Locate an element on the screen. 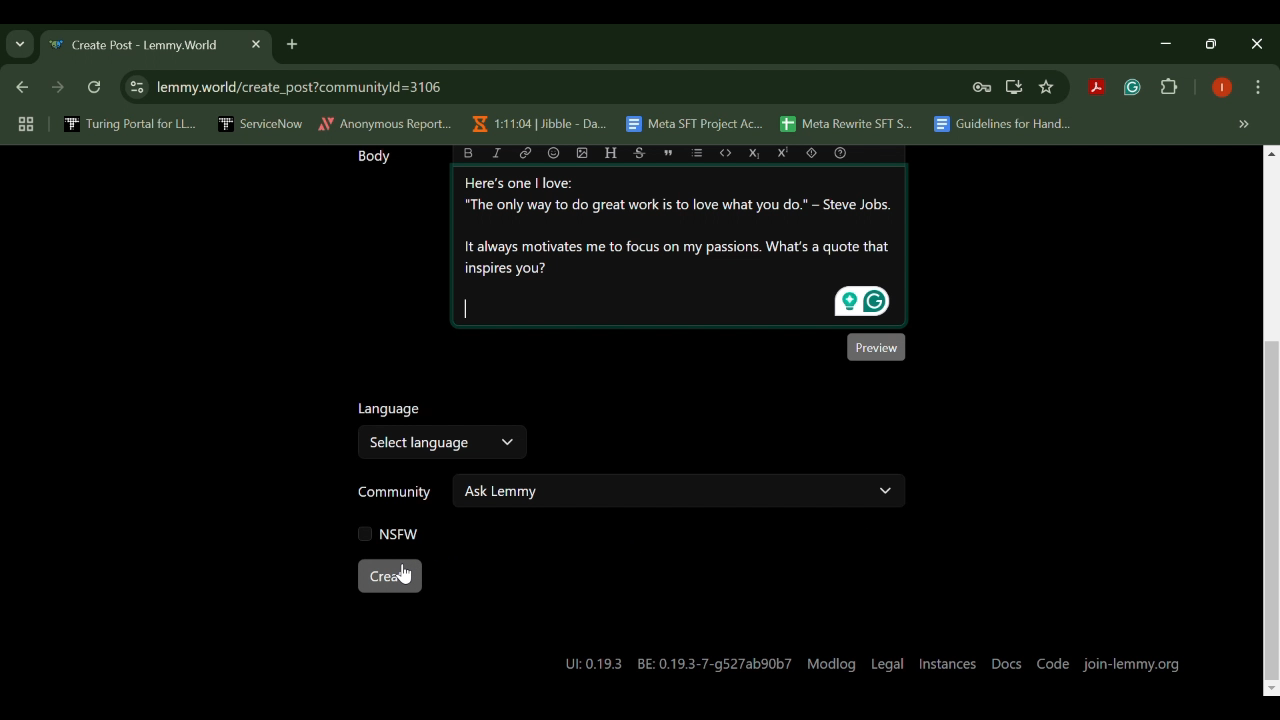 The image size is (1280, 720). Cursor on Create Post Button is located at coordinates (406, 573).